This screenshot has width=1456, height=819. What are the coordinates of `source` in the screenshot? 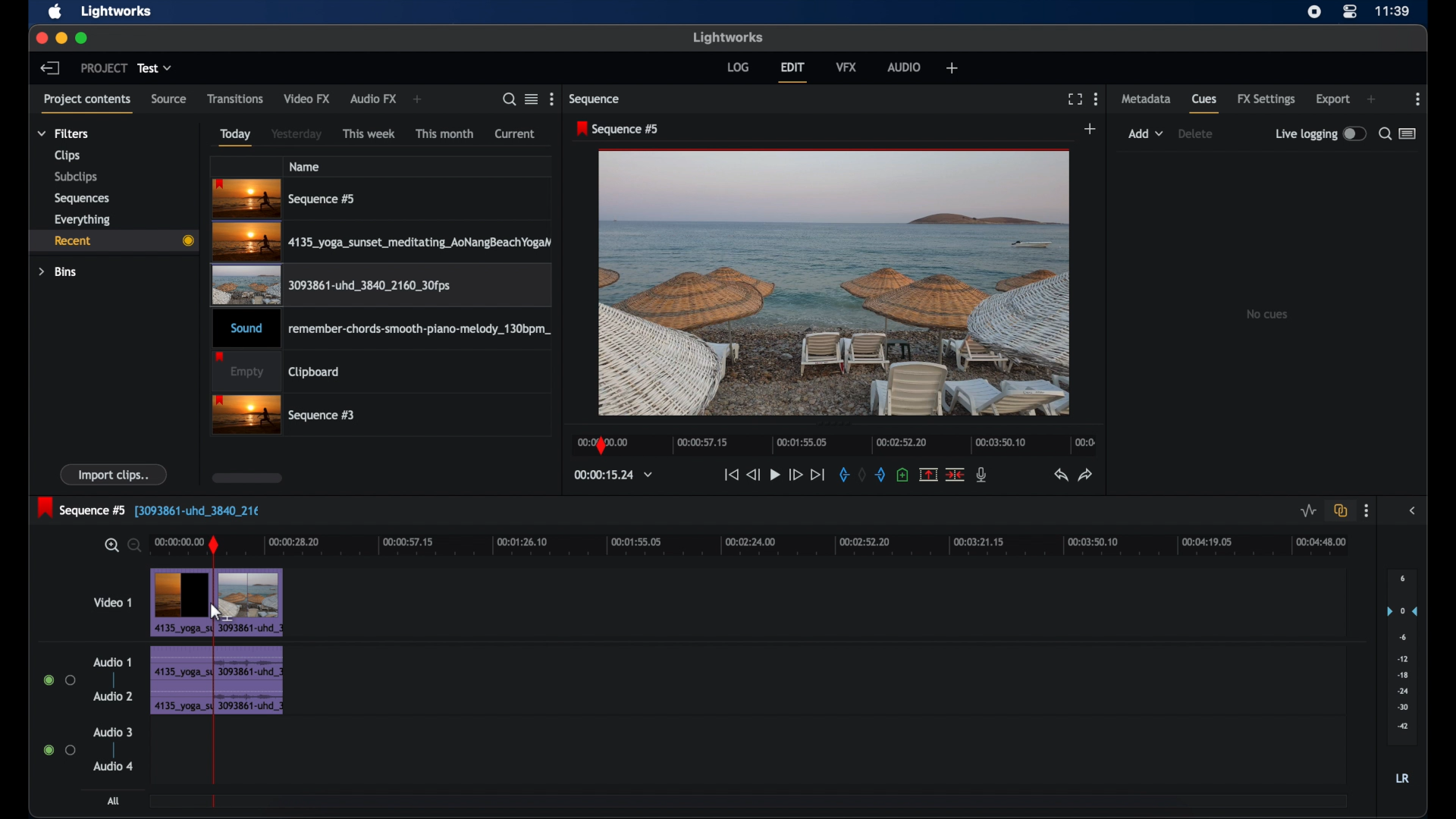 It's located at (169, 99).